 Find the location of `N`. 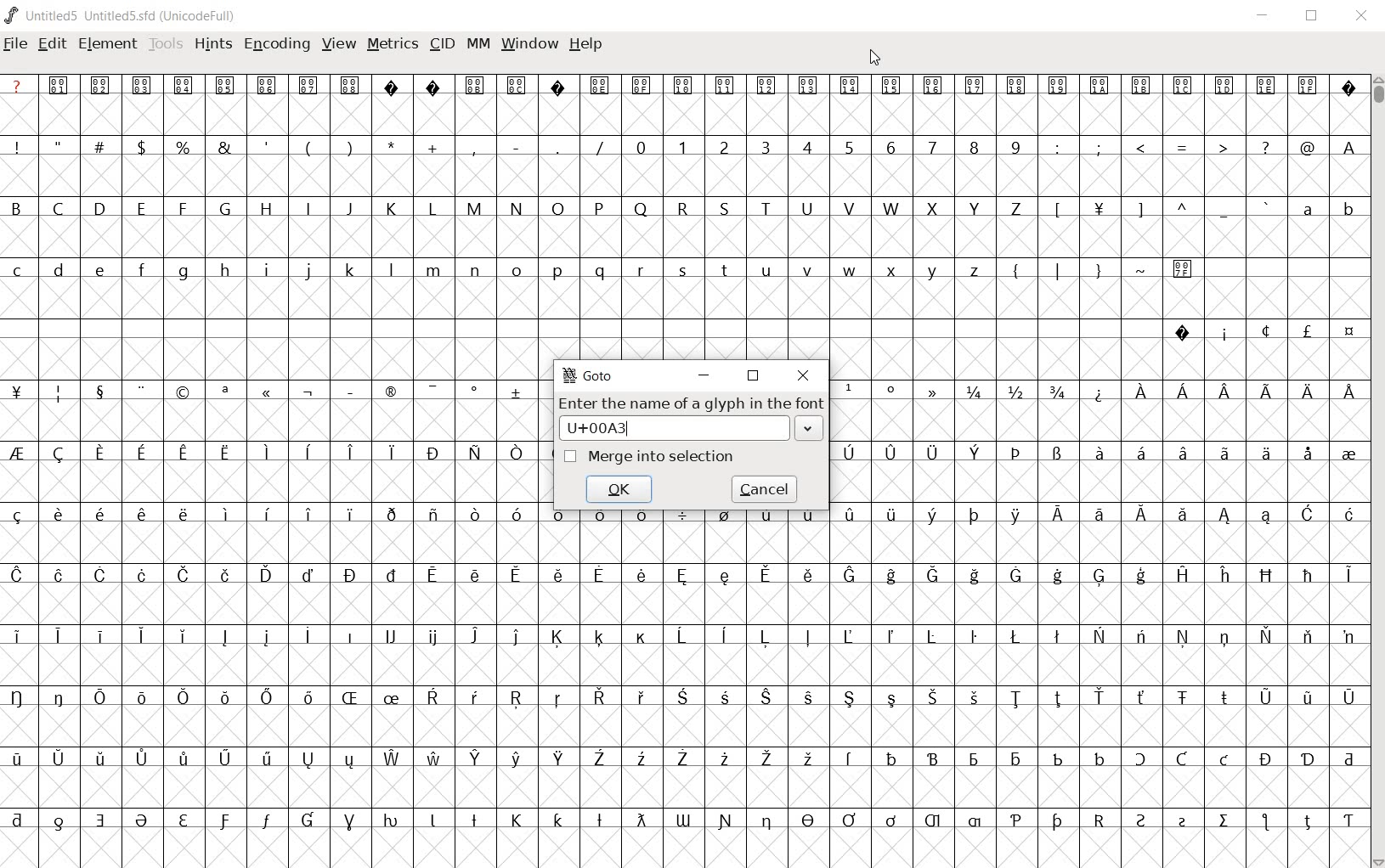

N is located at coordinates (514, 207).